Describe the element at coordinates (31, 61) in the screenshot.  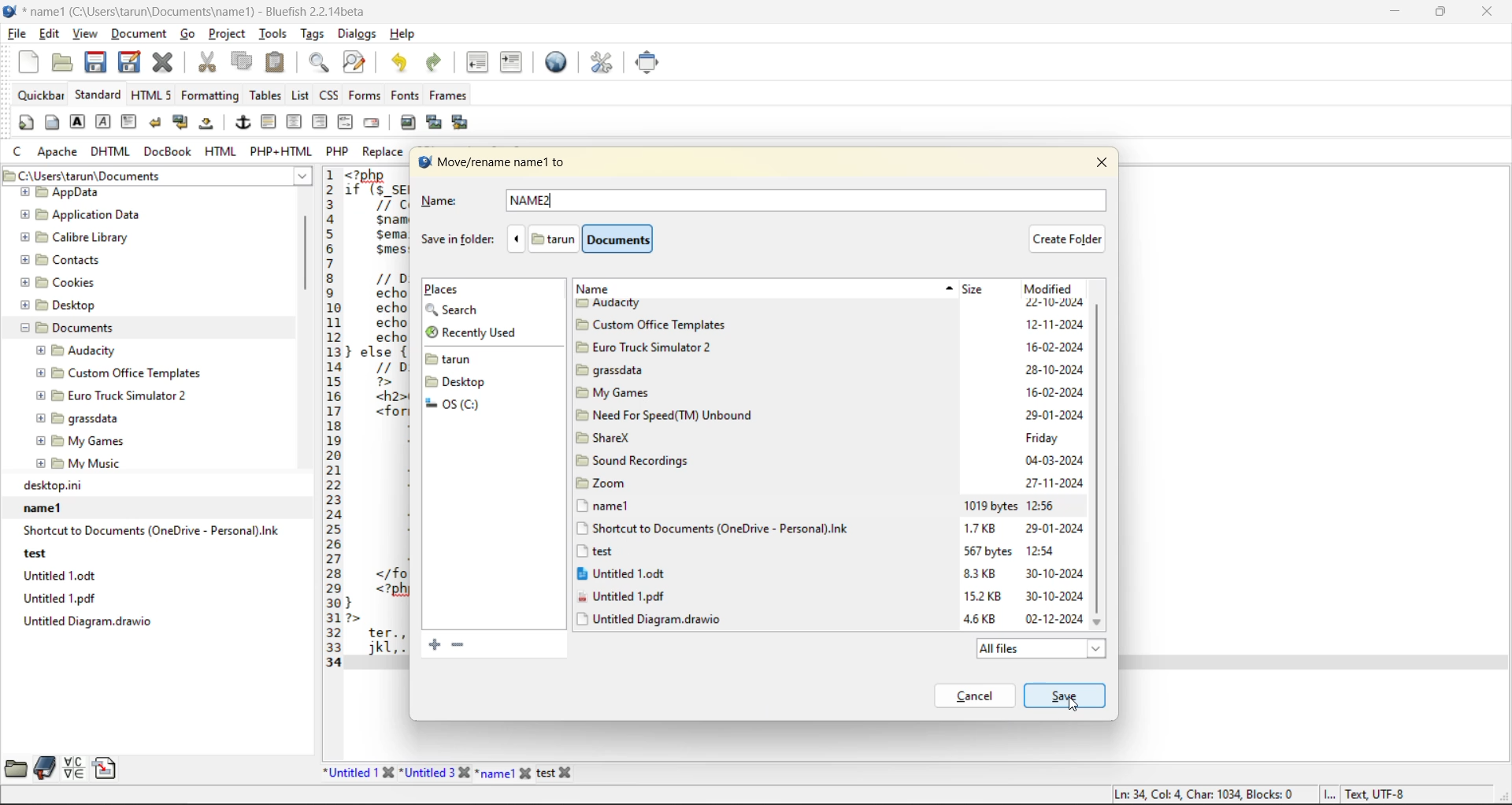
I see `new` at that location.